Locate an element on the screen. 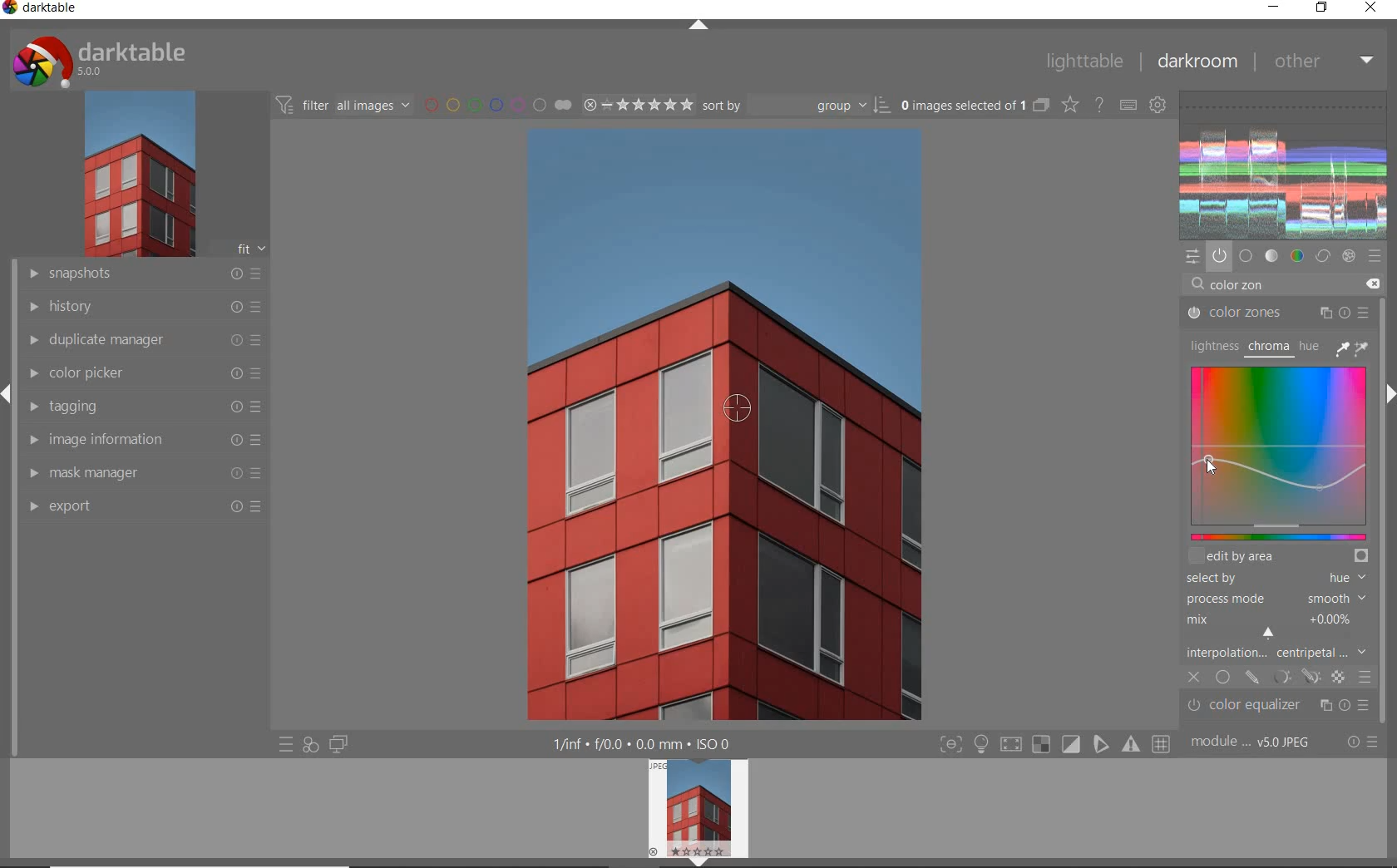 The width and height of the screenshot is (1397, 868). INPUT VALUE is located at coordinates (1229, 287).